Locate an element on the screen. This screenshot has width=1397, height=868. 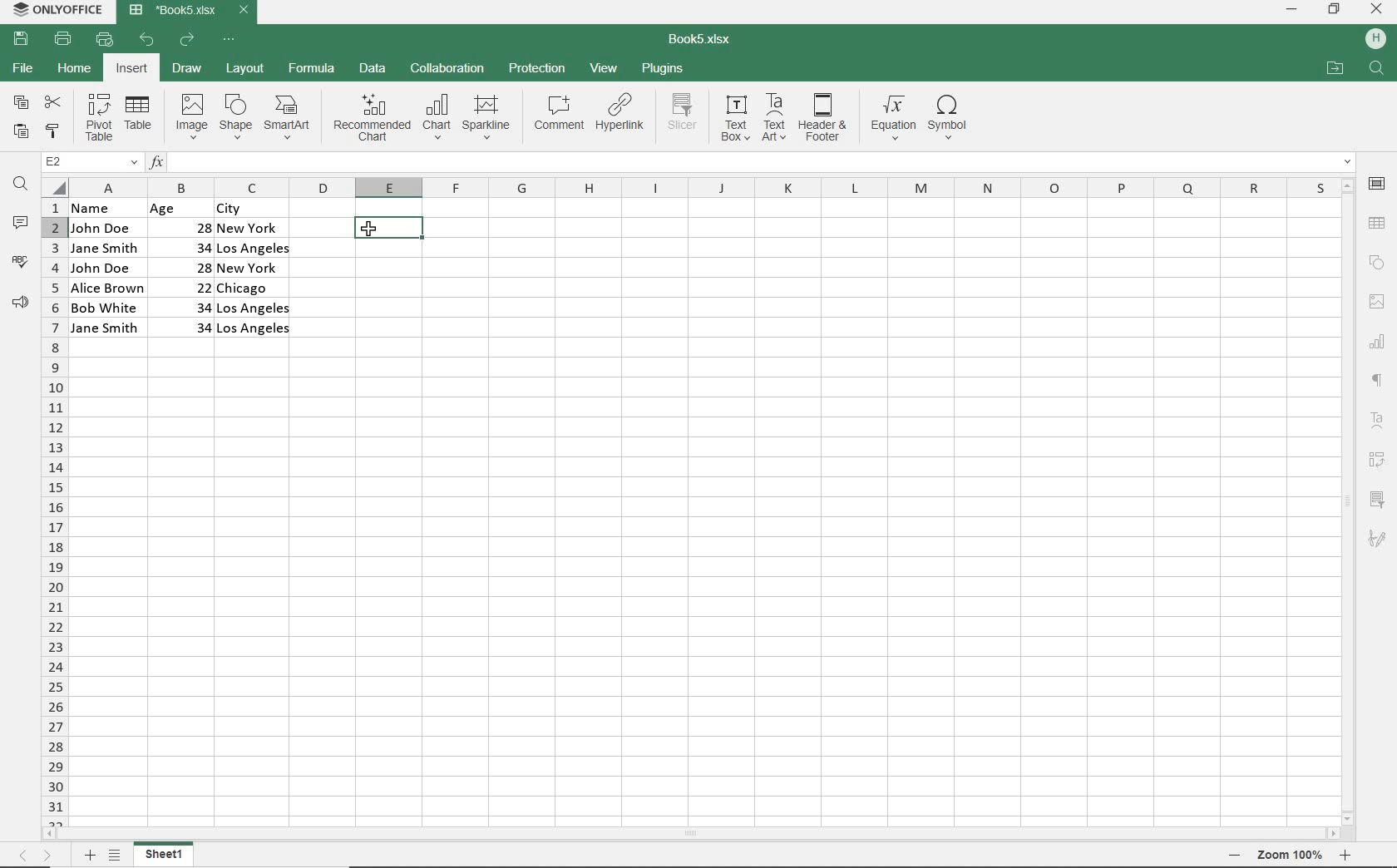
INSERT is located at coordinates (131, 68).